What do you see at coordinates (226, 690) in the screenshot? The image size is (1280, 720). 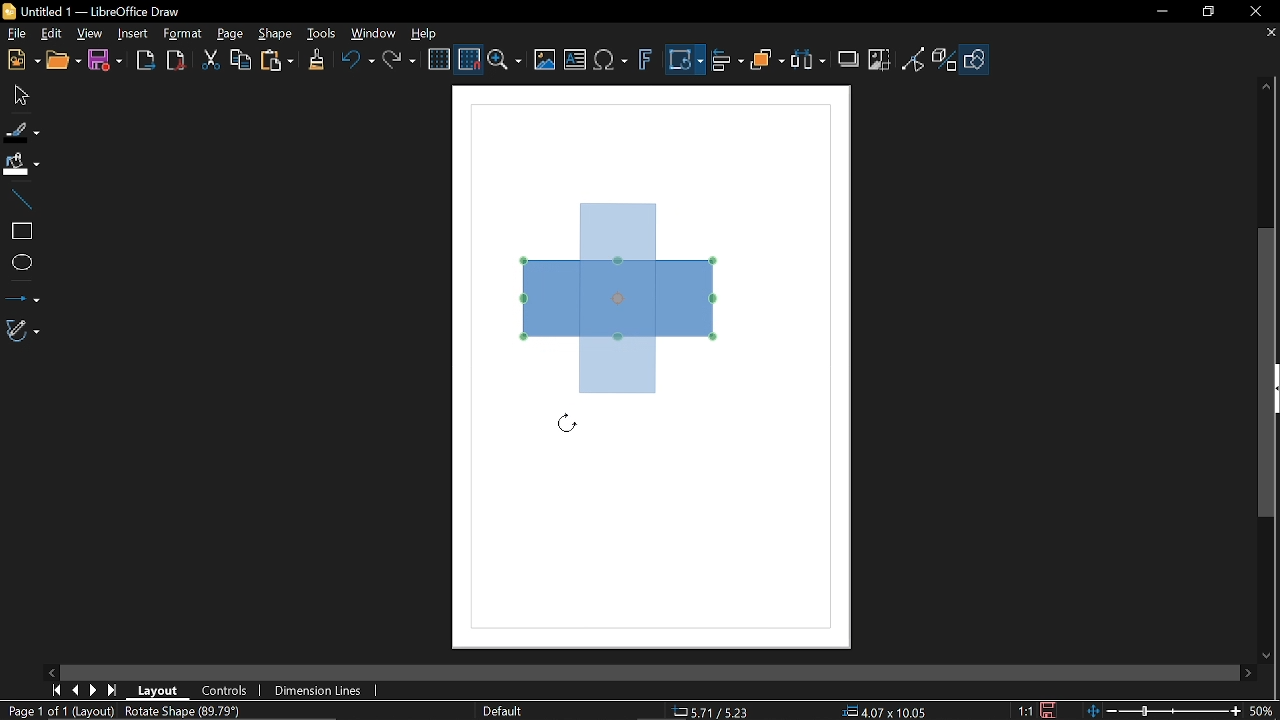 I see `Controls` at bounding box center [226, 690].